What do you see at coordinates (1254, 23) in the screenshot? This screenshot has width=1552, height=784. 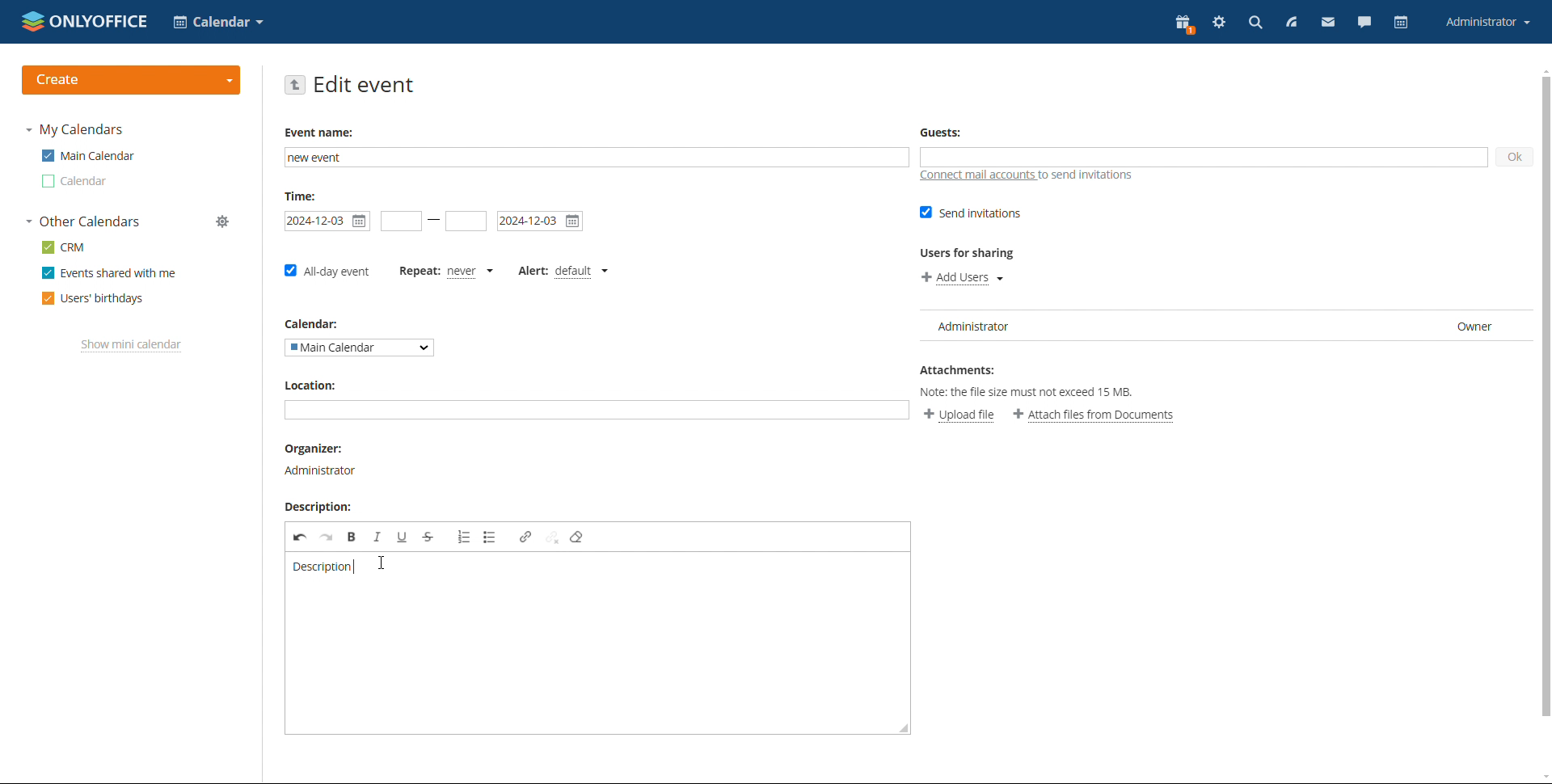 I see `search` at bounding box center [1254, 23].